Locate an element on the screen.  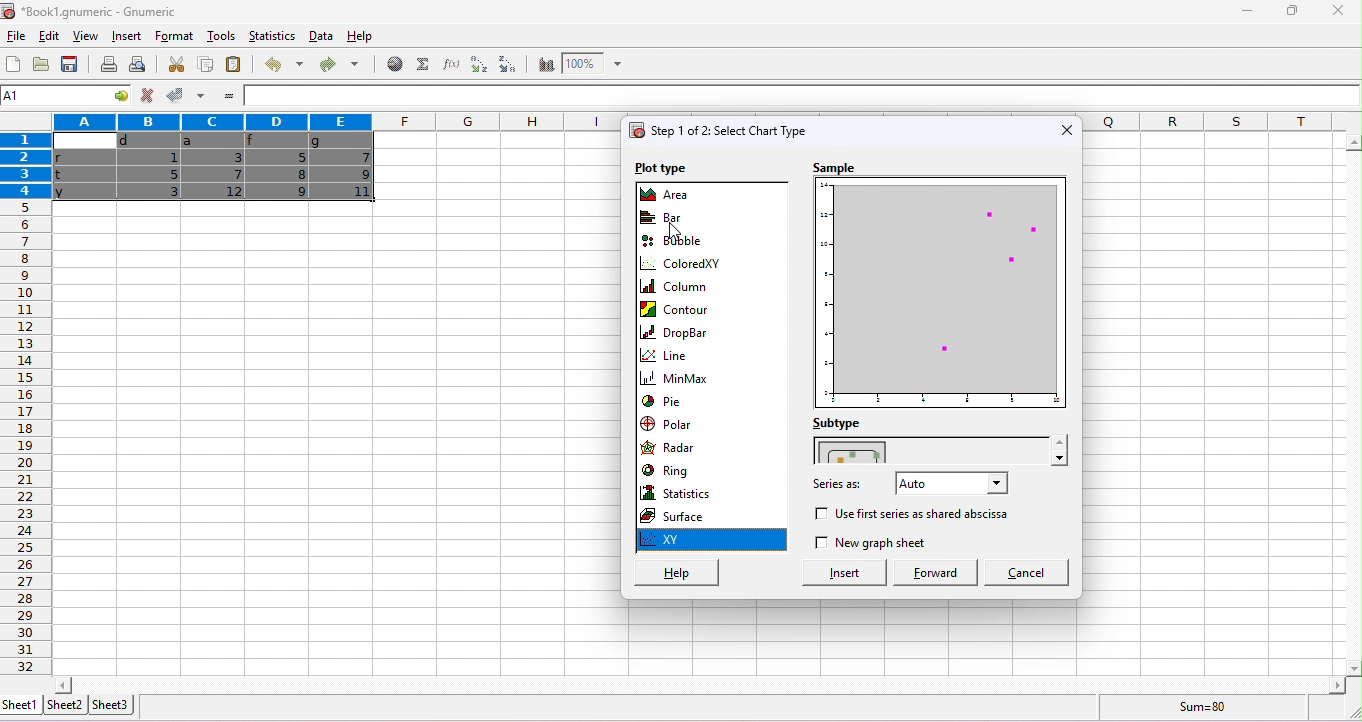
4R*5C is located at coordinates (52, 96).